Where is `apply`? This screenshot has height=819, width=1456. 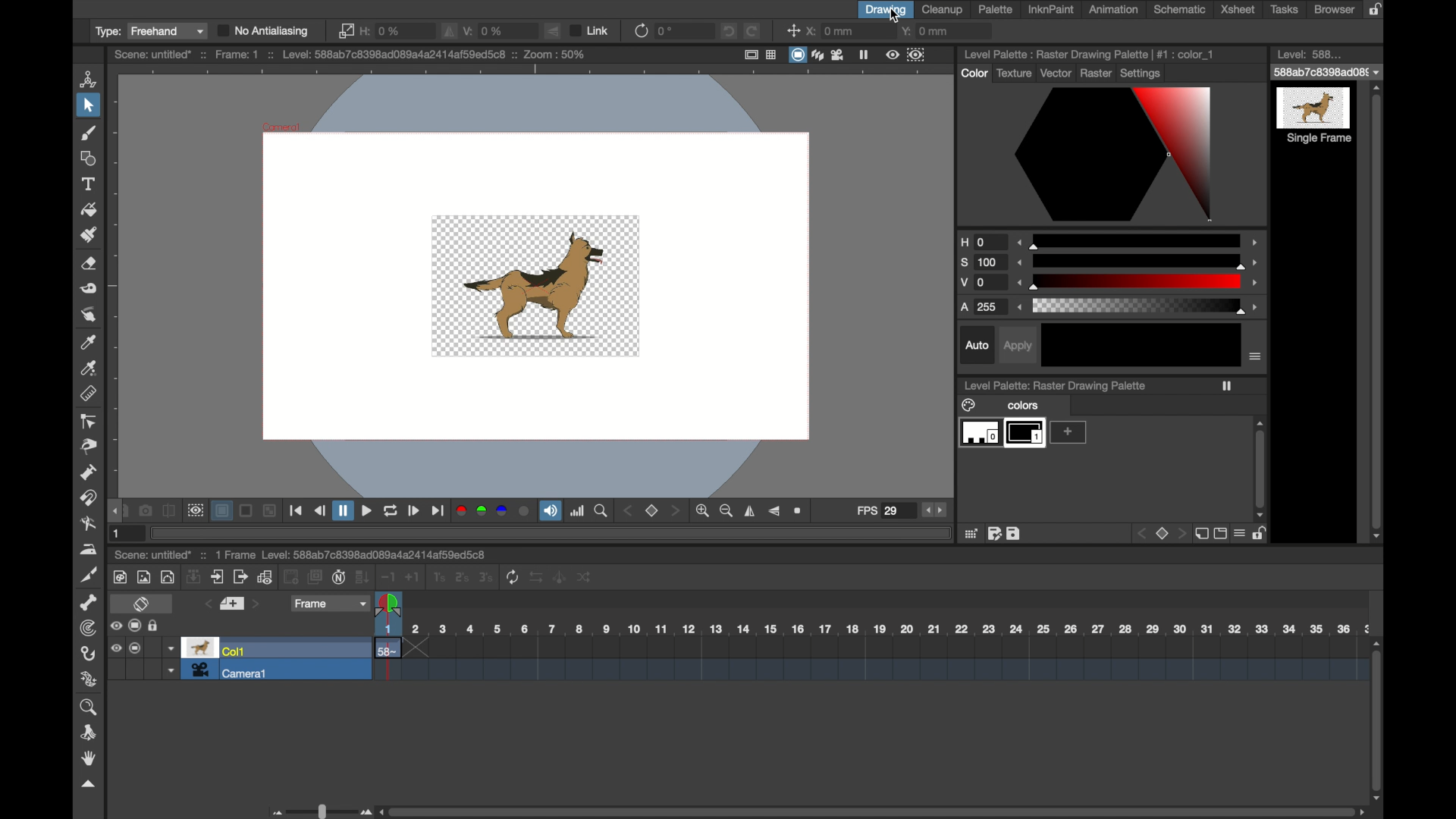
apply is located at coordinates (1024, 347).